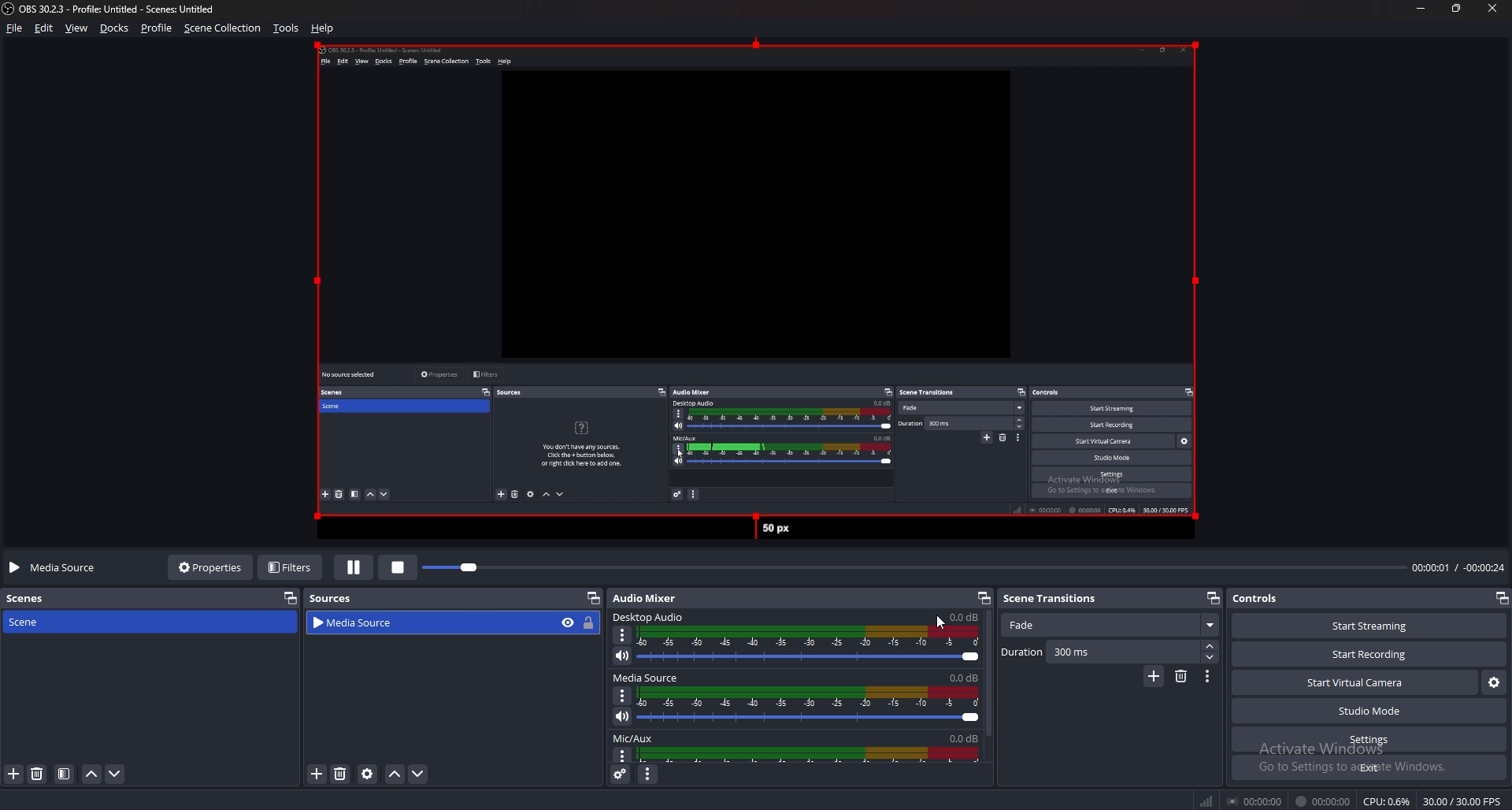  I want to click on move scene down, so click(116, 773).